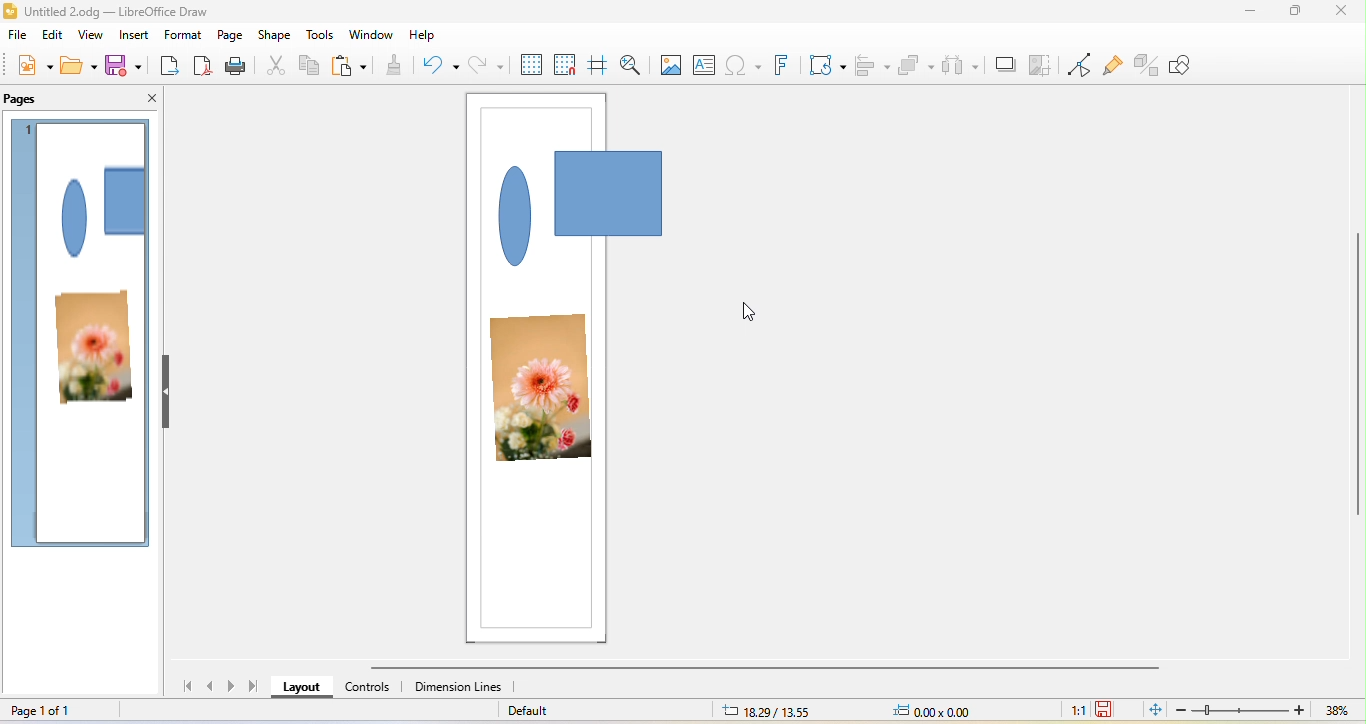 The image size is (1366, 724). I want to click on fit page to current window, so click(1152, 711).